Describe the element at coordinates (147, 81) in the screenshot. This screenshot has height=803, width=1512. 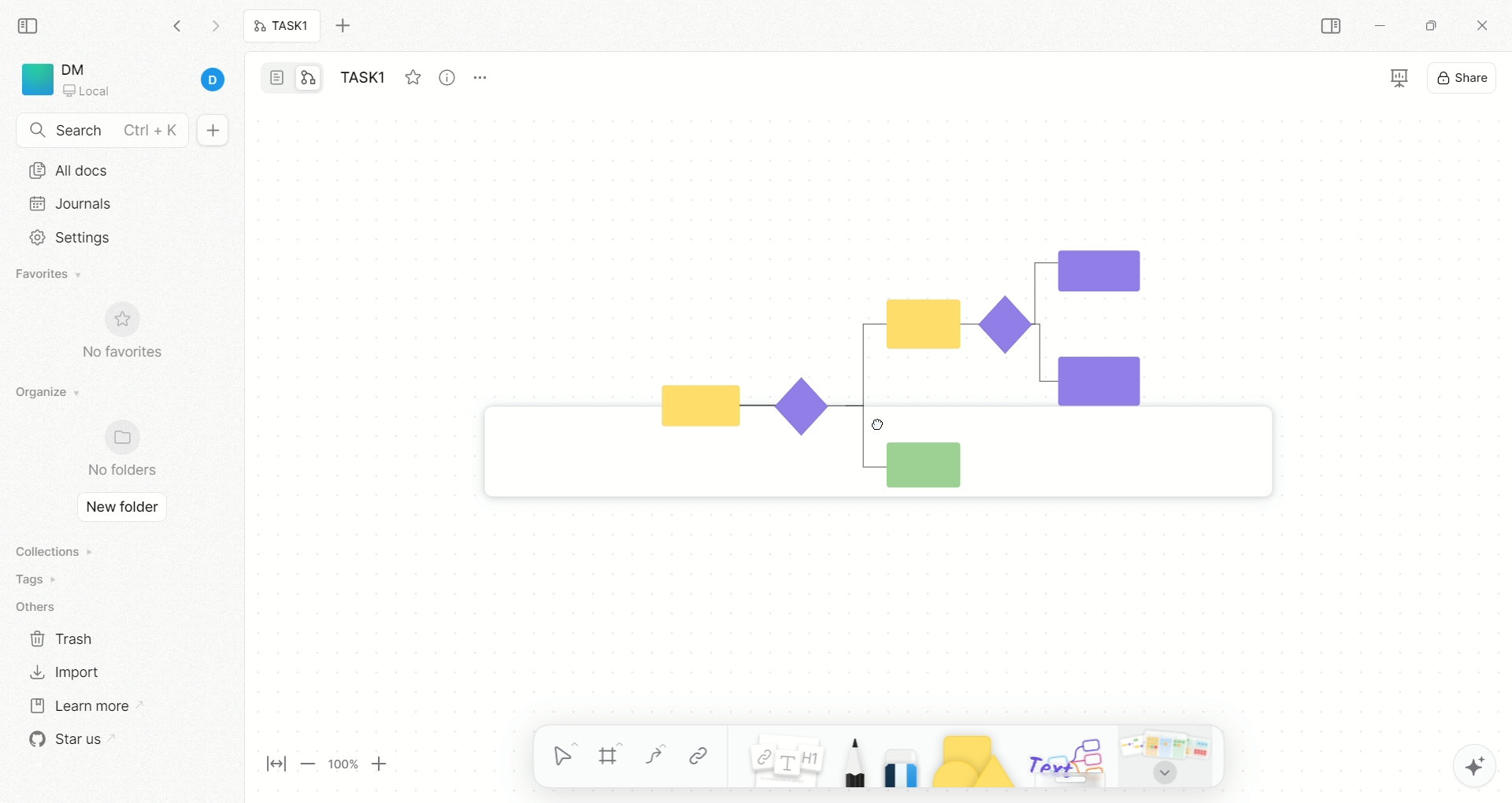
I see `account details` at that location.